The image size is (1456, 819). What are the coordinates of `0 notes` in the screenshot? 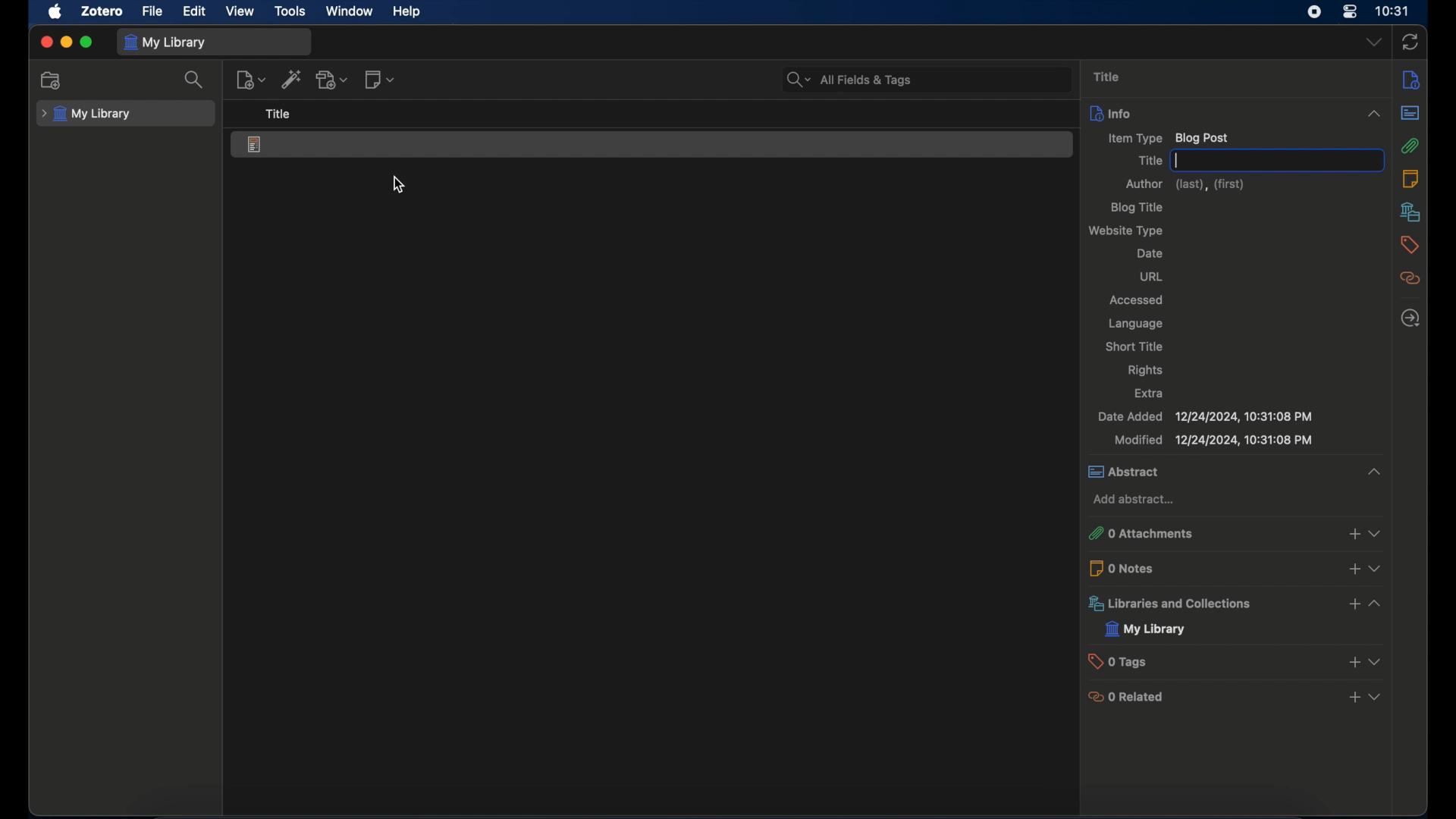 It's located at (1237, 567).